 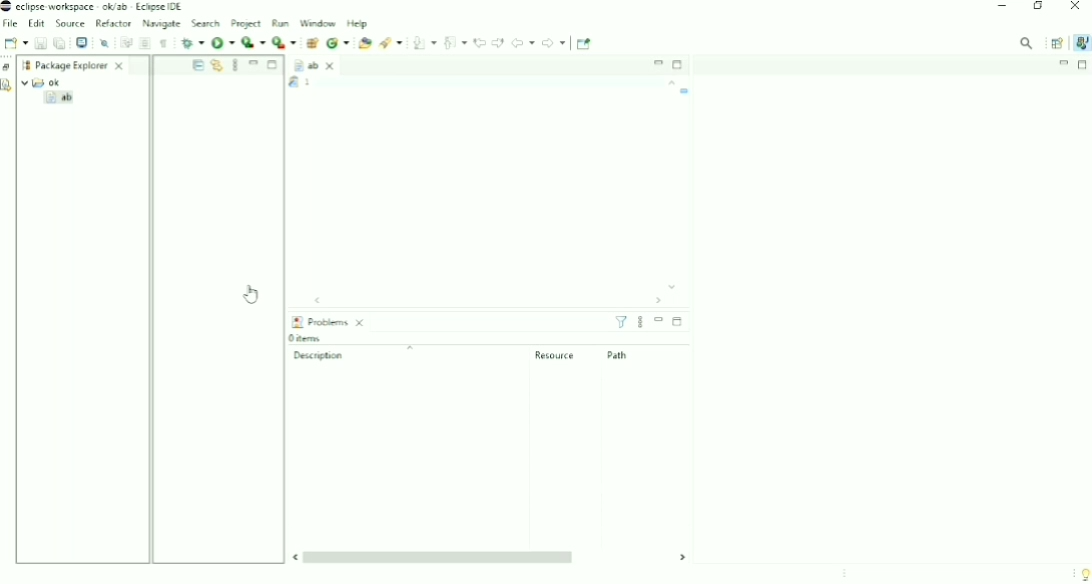 I want to click on Toggle Block Selection, so click(x=145, y=43).